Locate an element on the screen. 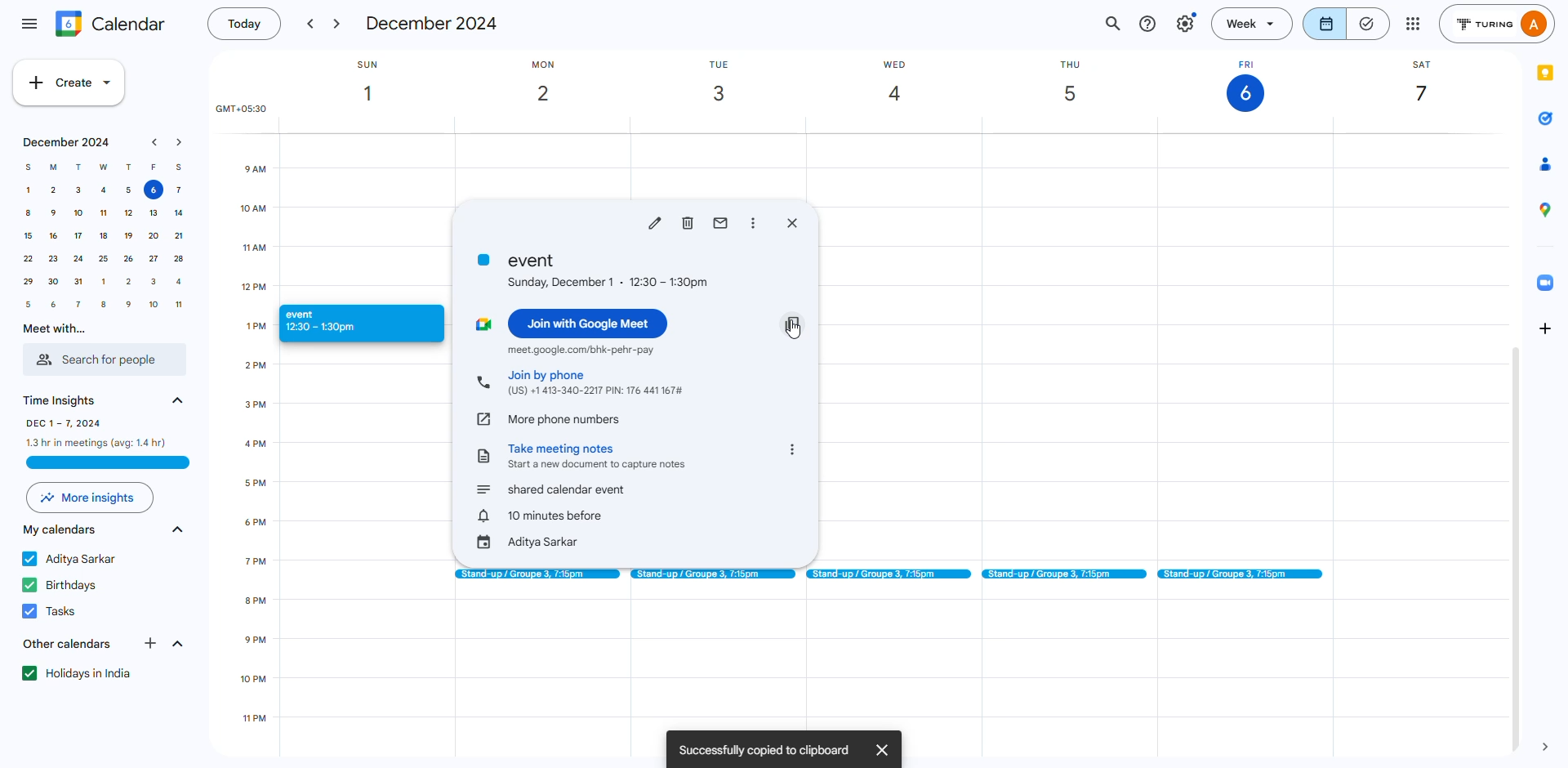 The image size is (1568, 768). settings is located at coordinates (1186, 23).